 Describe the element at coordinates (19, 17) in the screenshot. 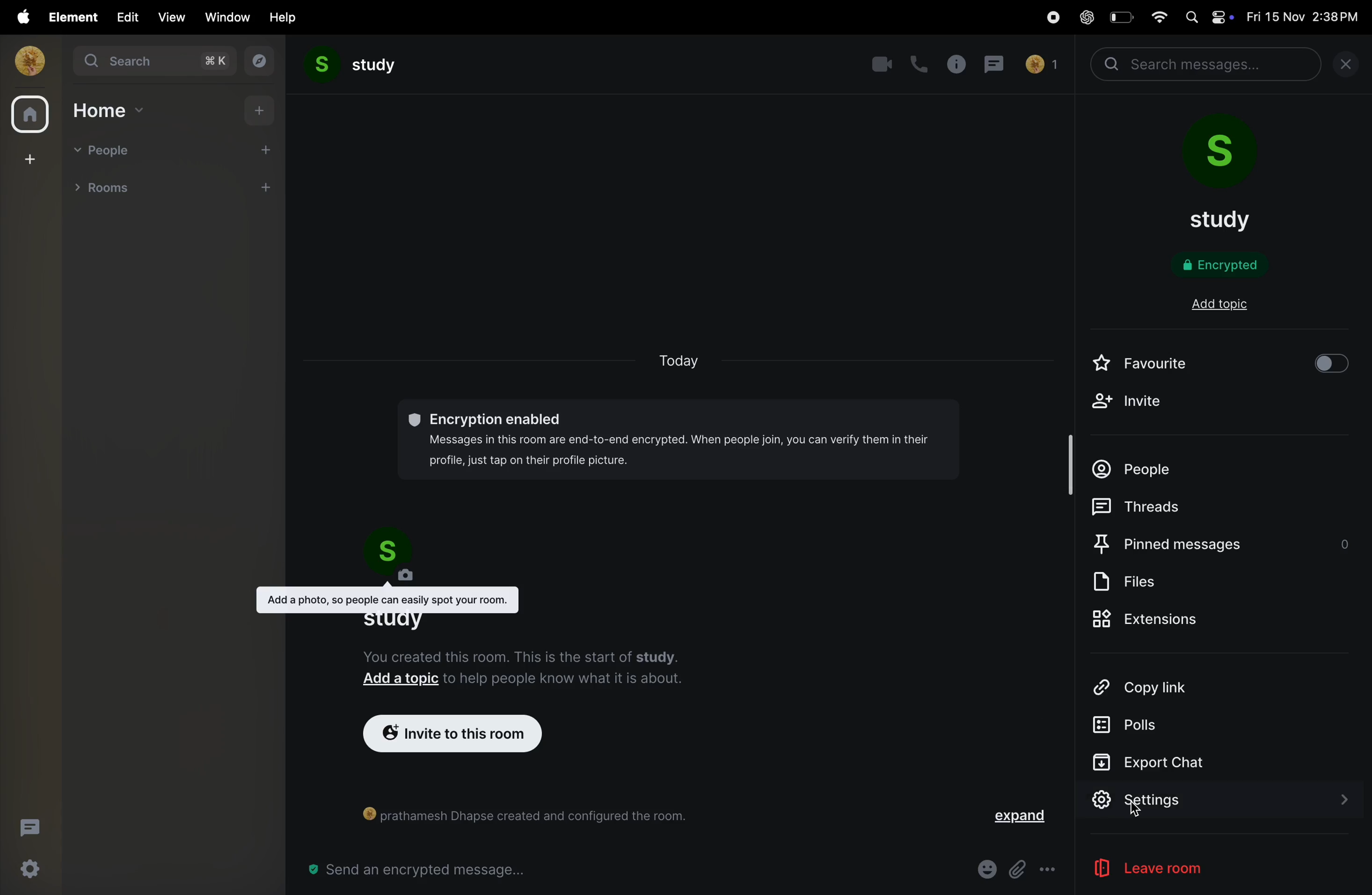

I see `apple menu` at that location.